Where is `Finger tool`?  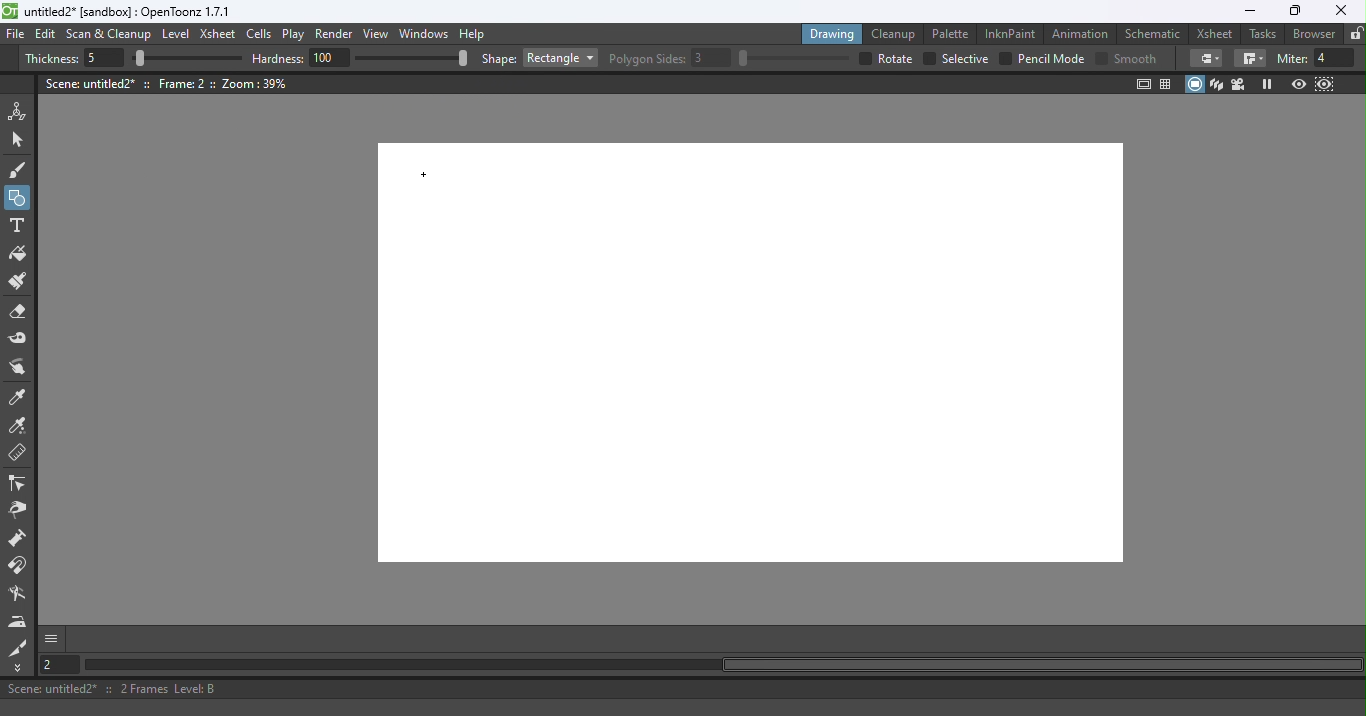 Finger tool is located at coordinates (18, 369).